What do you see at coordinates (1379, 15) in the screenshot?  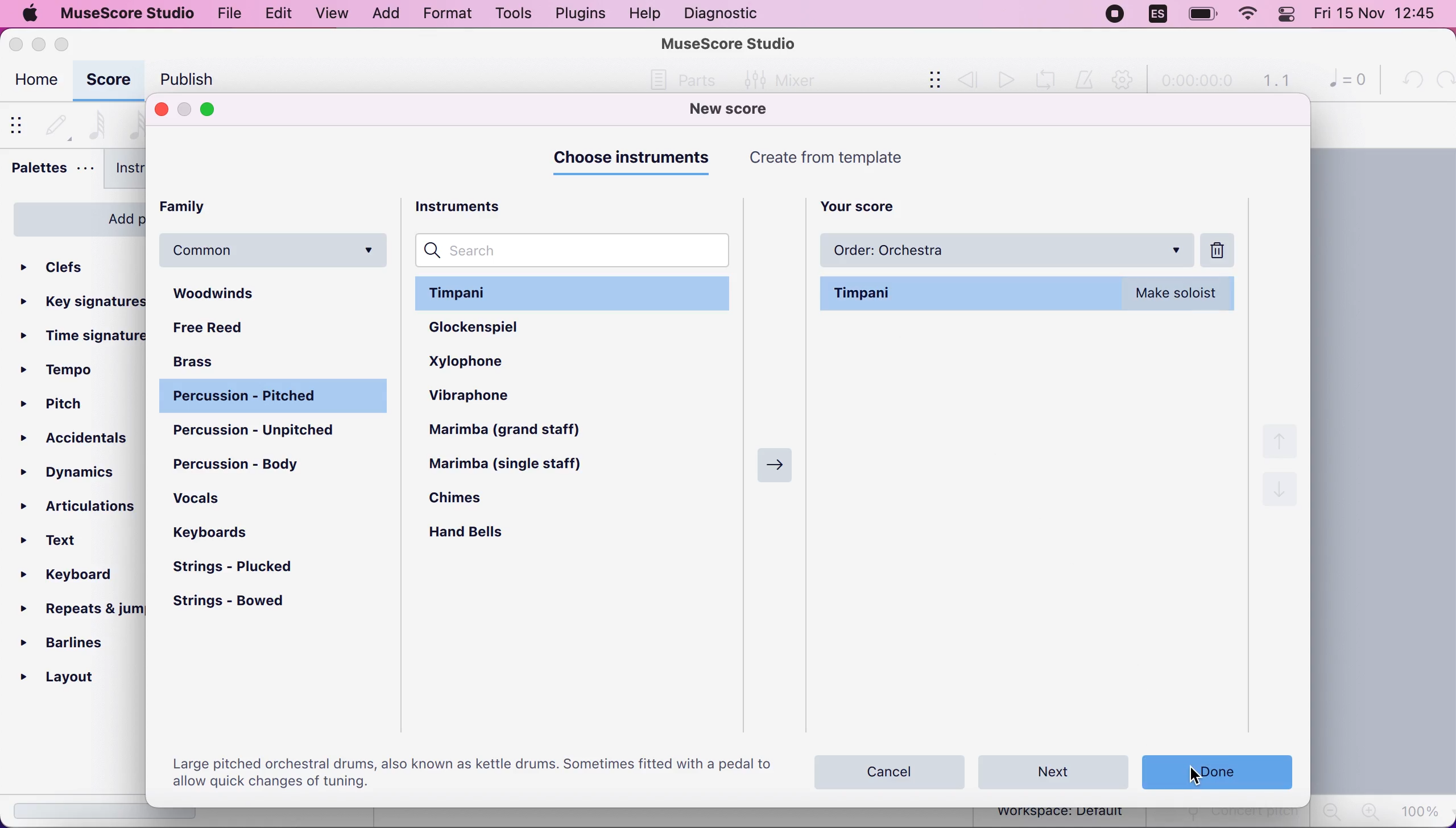 I see `Fri 15 Nov 12:44` at bounding box center [1379, 15].